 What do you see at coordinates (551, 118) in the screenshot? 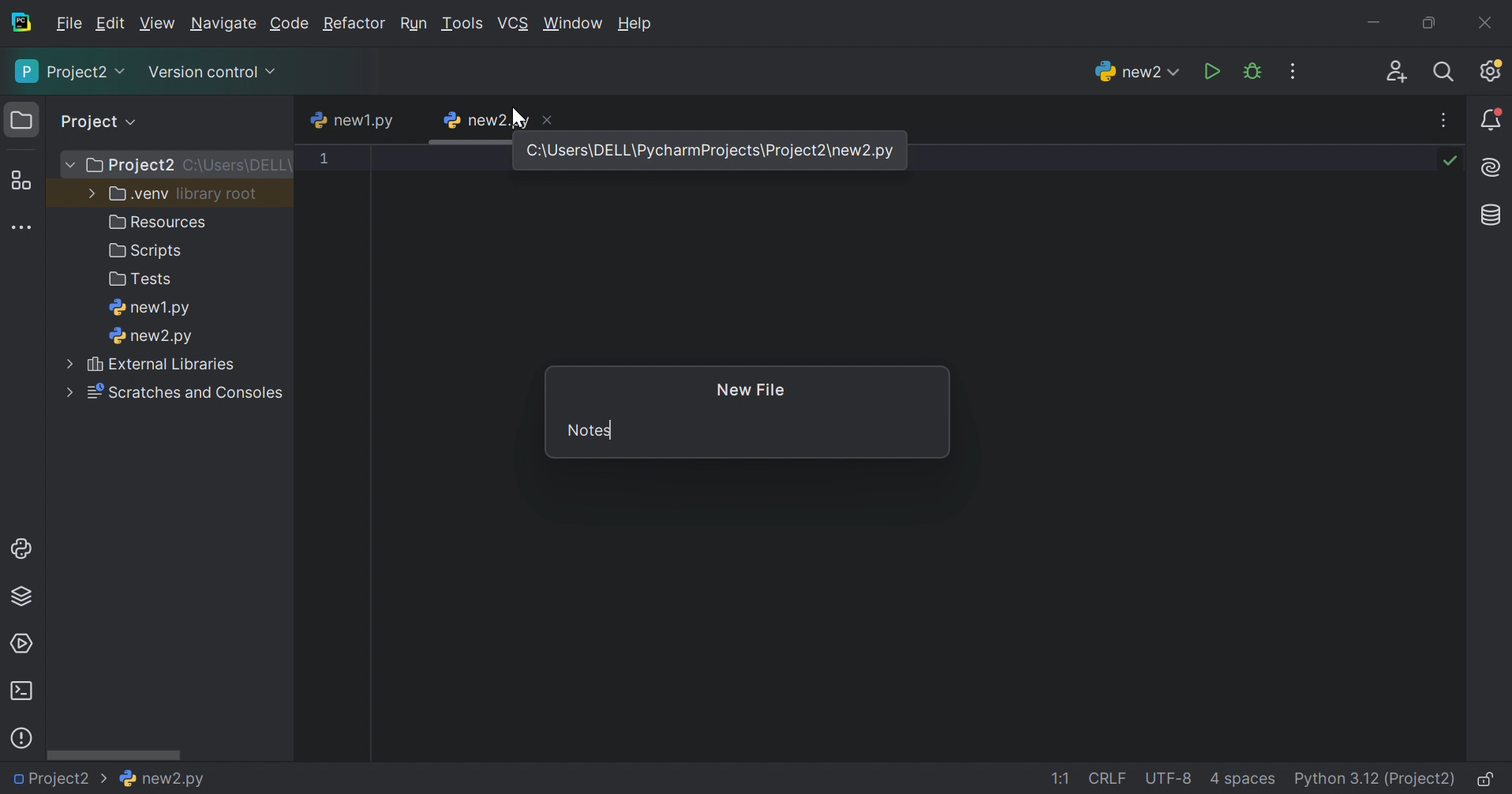
I see `Close` at bounding box center [551, 118].